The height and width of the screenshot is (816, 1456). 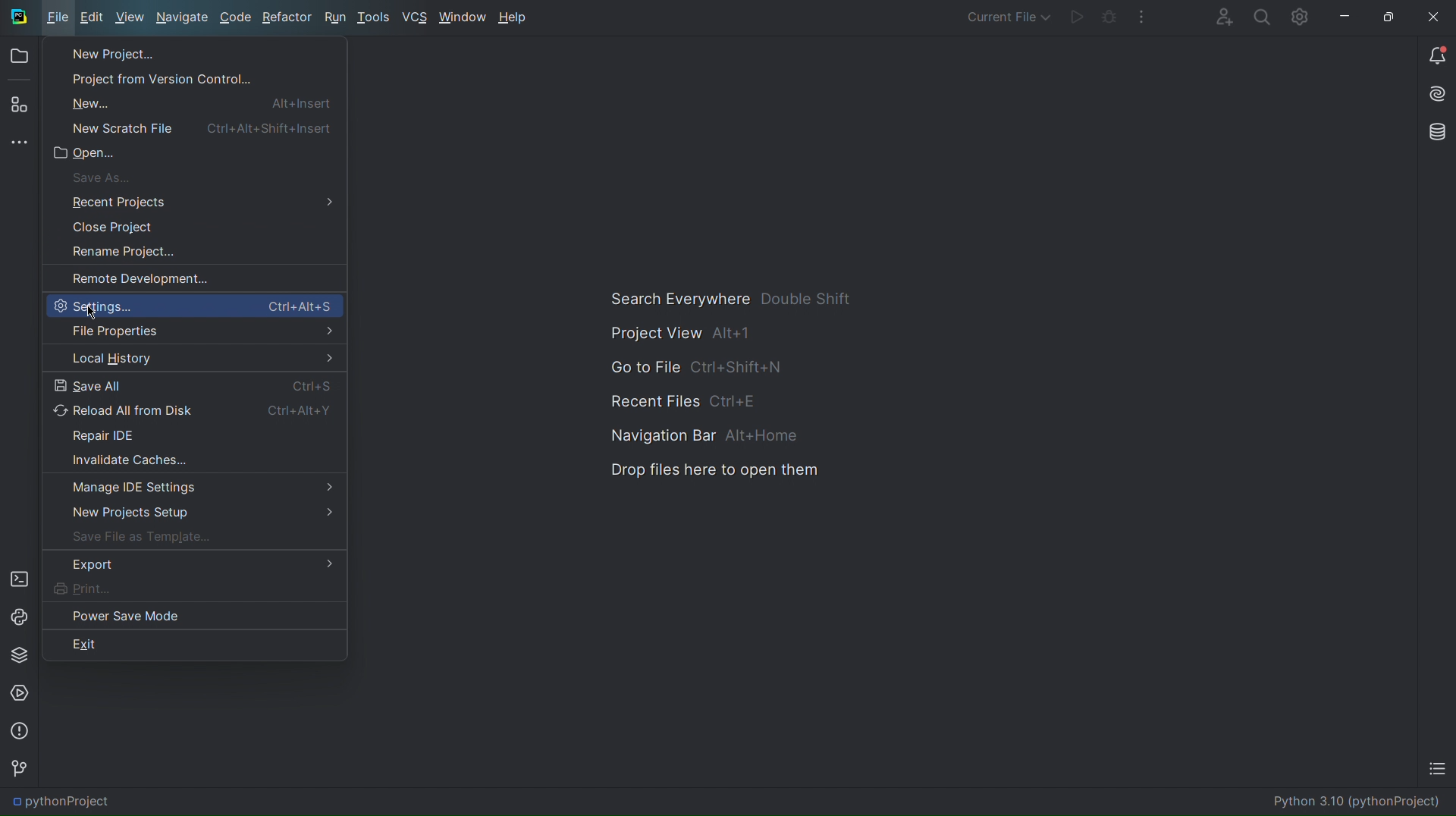 What do you see at coordinates (15, 17) in the screenshot?
I see `Logo` at bounding box center [15, 17].